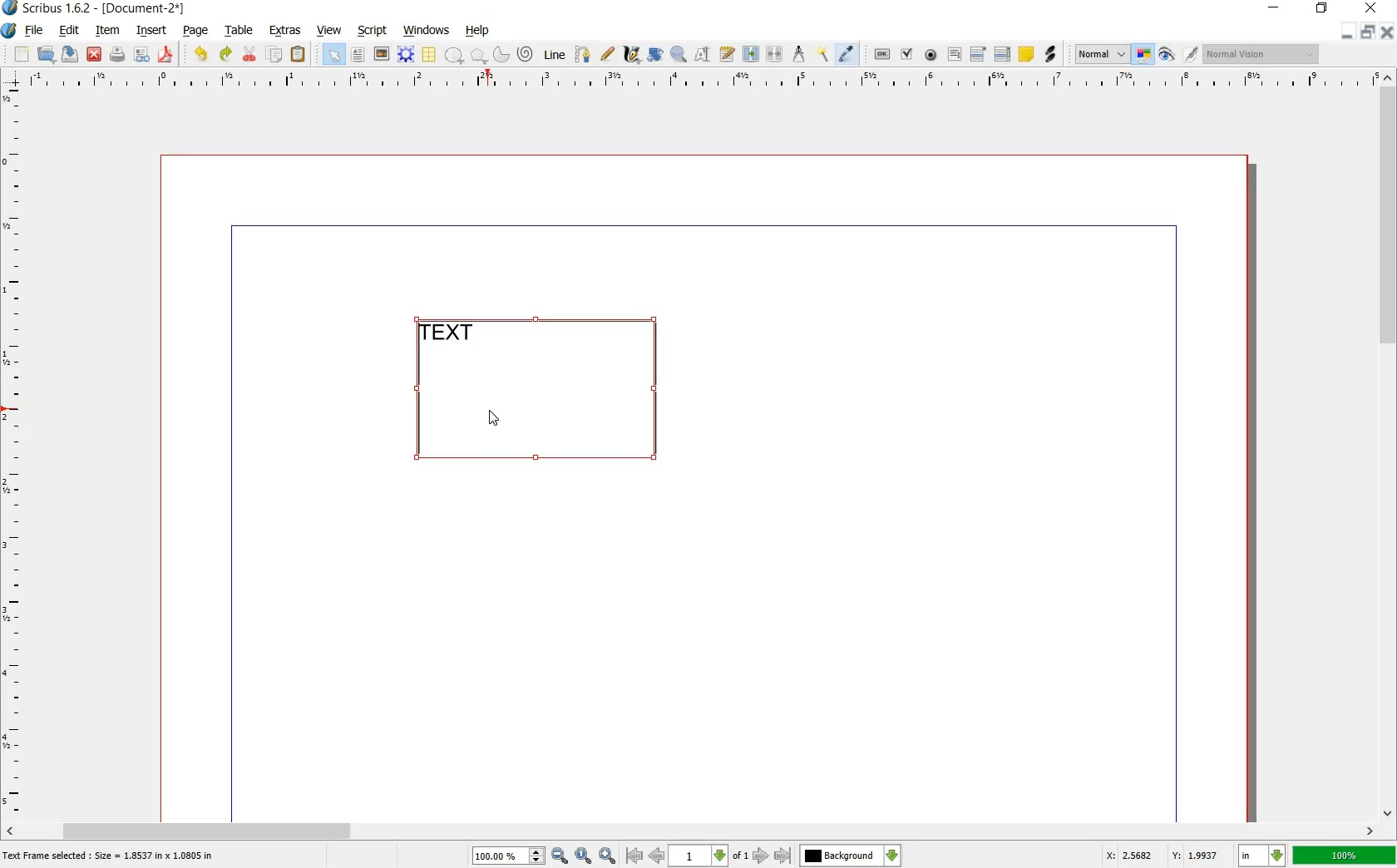 The width and height of the screenshot is (1397, 868). Describe the element at coordinates (1385, 32) in the screenshot. I see `close` at that location.